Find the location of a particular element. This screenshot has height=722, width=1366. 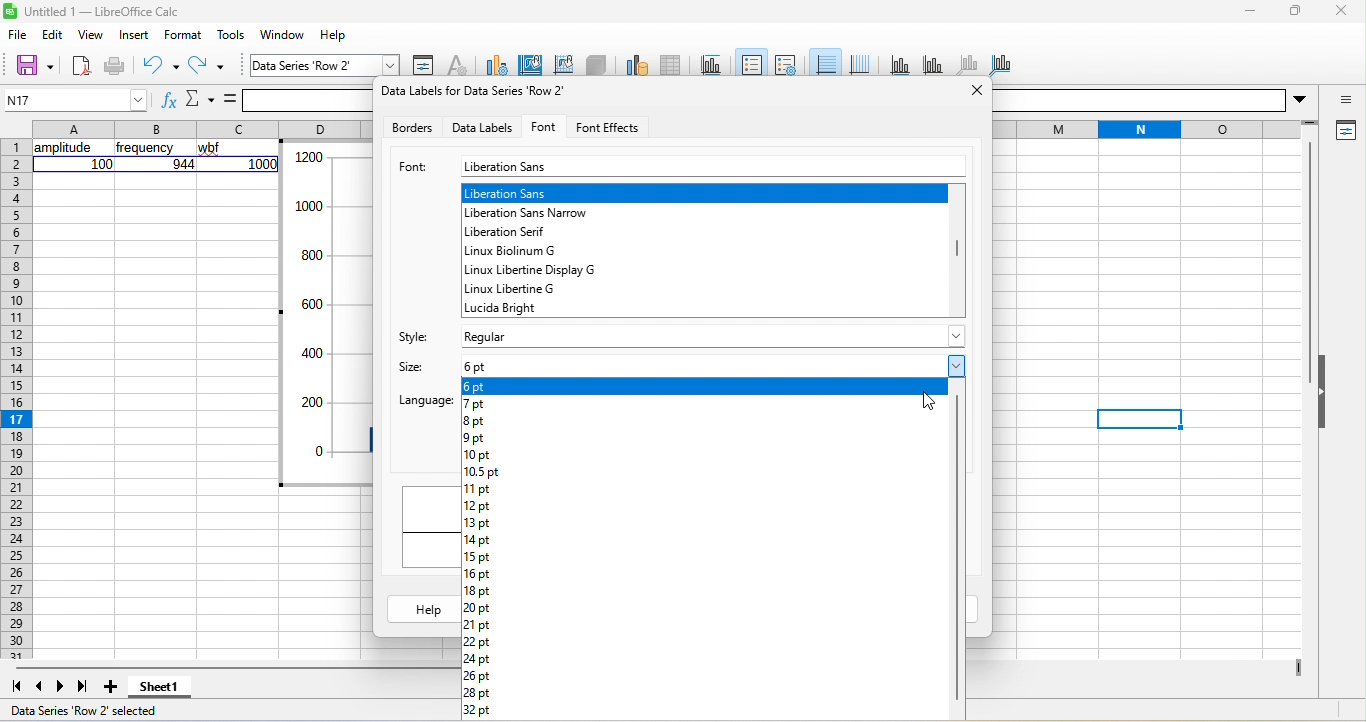

sheet 1 is located at coordinates (160, 691).